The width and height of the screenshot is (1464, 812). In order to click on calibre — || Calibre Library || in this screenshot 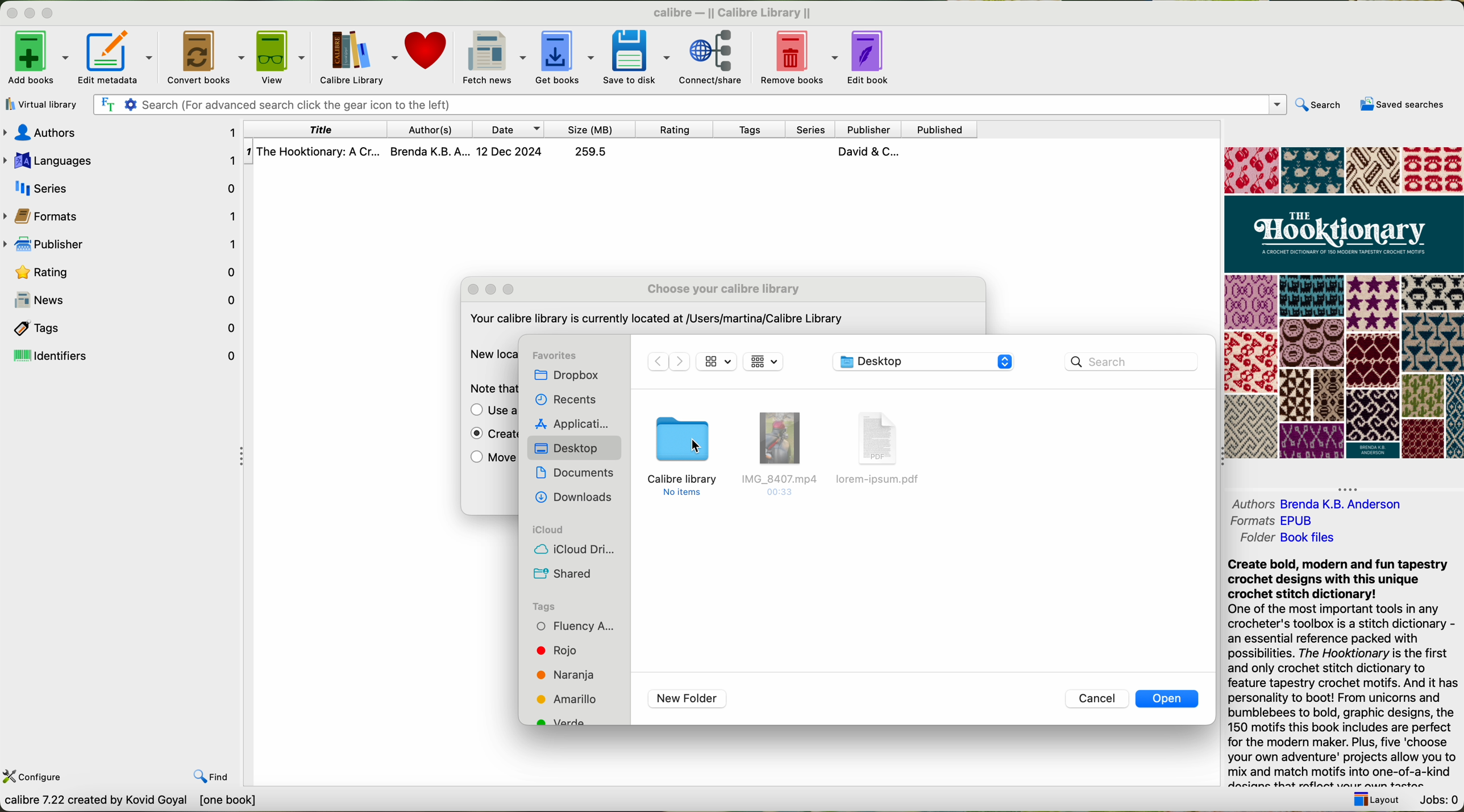, I will do `click(731, 11)`.